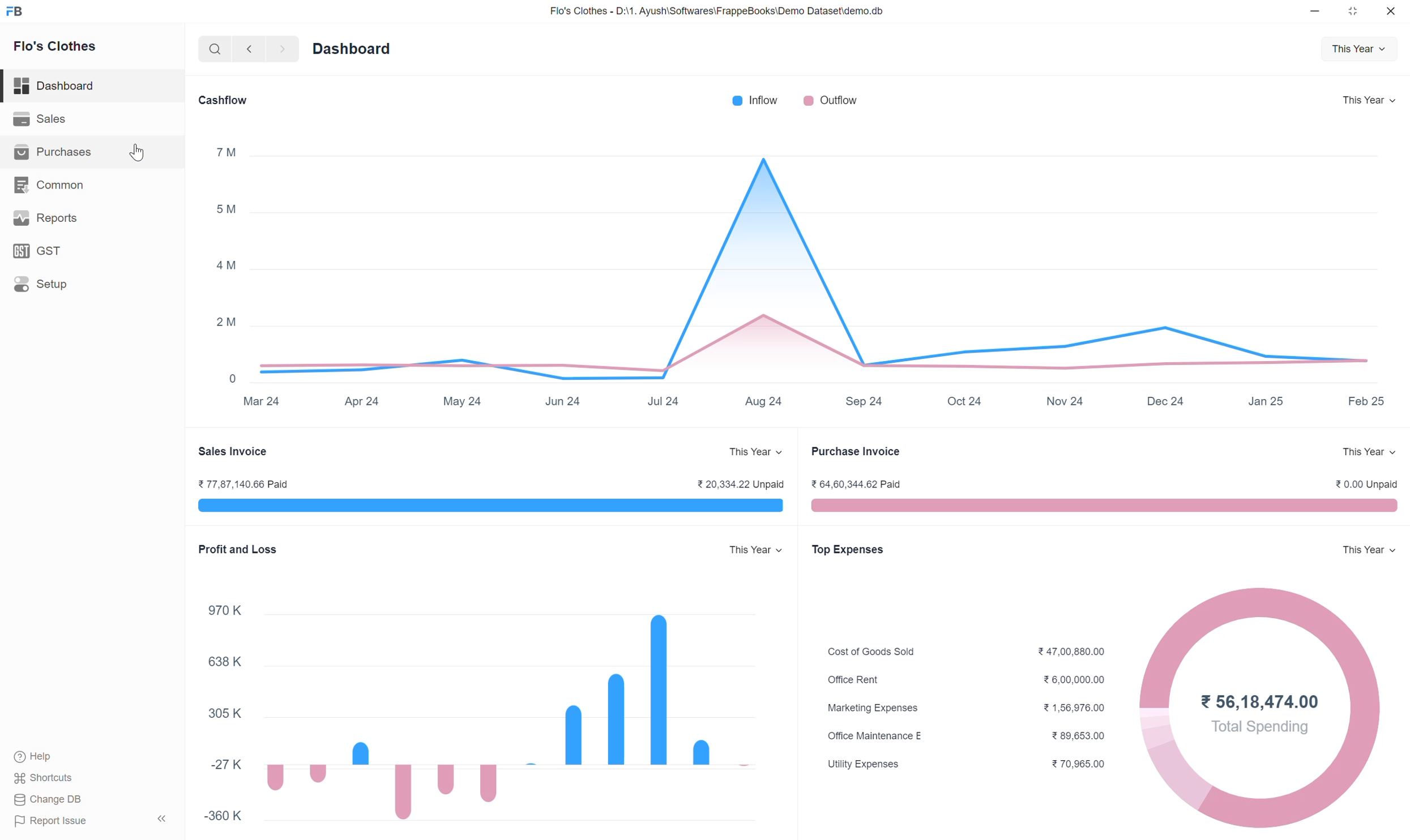 The image size is (1410, 840). Describe the element at coordinates (44, 778) in the screenshot. I see `Shortcuts` at that location.